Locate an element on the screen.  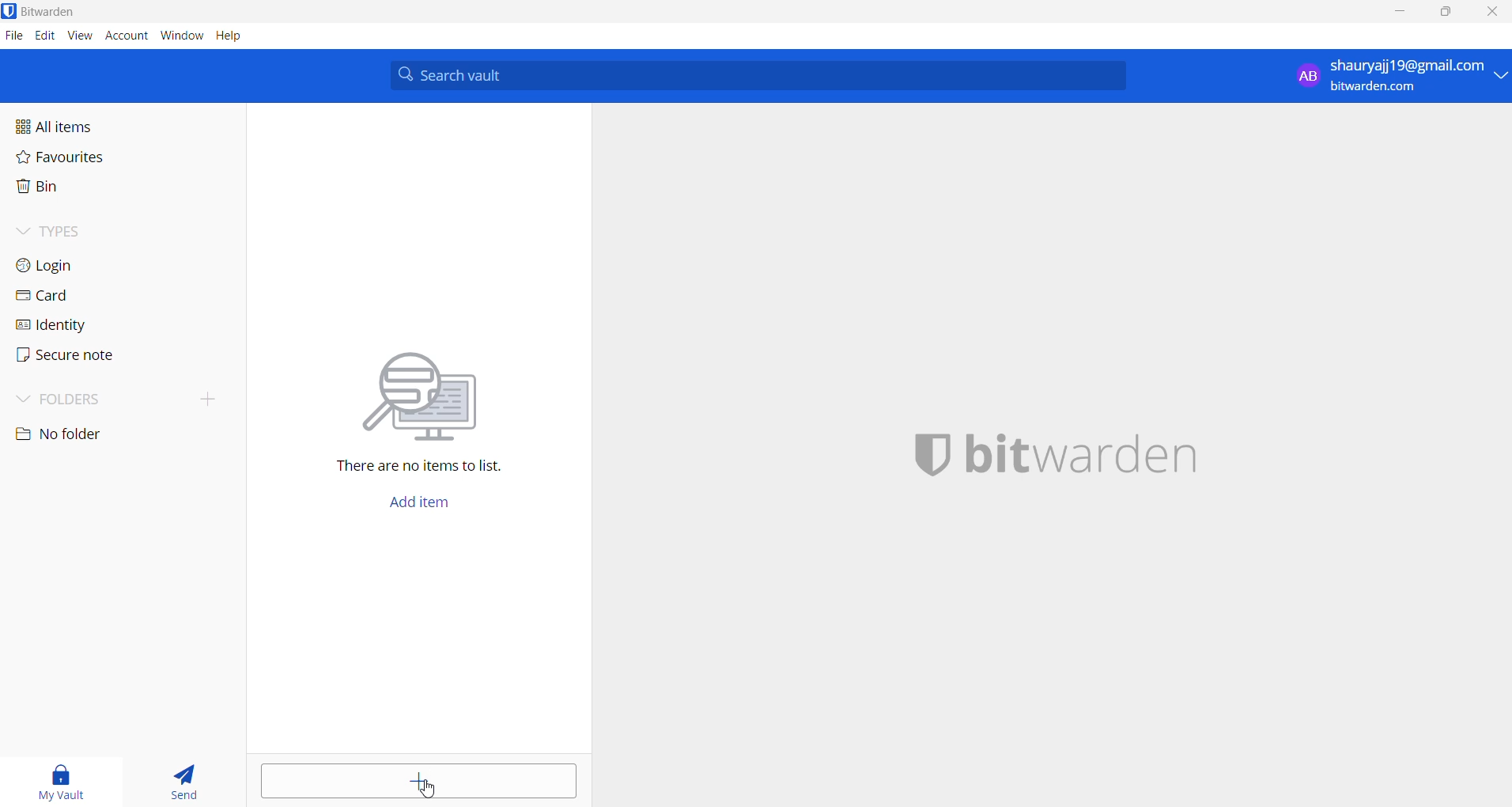
File is located at coordinates (13, 36).